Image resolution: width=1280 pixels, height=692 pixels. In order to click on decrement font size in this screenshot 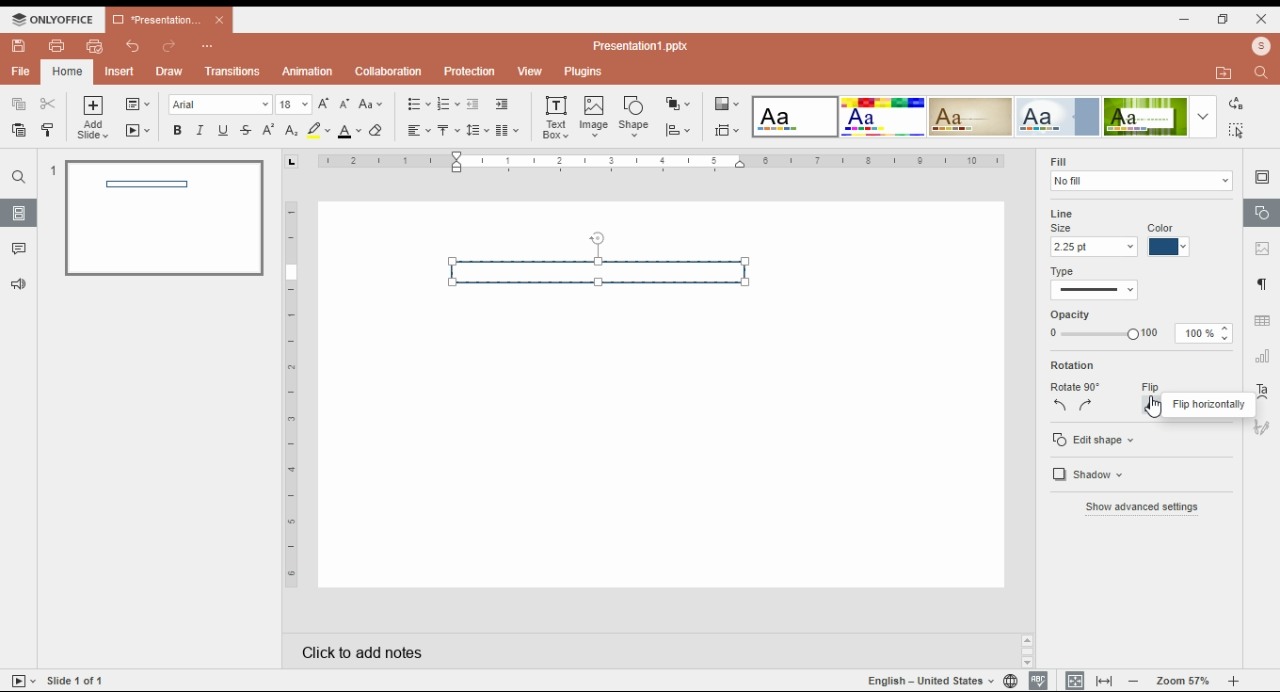, I will do `click(345, 103)`.